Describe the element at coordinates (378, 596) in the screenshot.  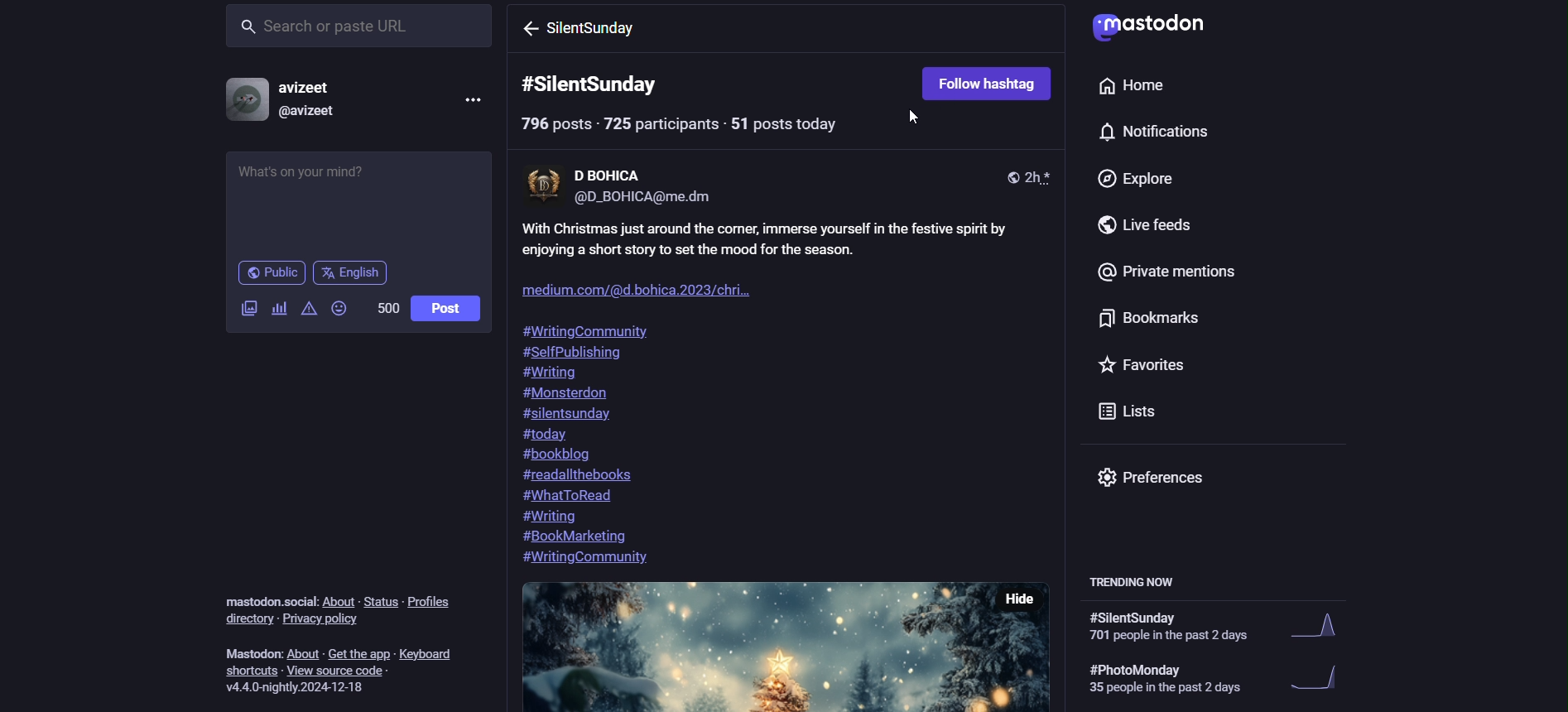
I see `status` at that location.